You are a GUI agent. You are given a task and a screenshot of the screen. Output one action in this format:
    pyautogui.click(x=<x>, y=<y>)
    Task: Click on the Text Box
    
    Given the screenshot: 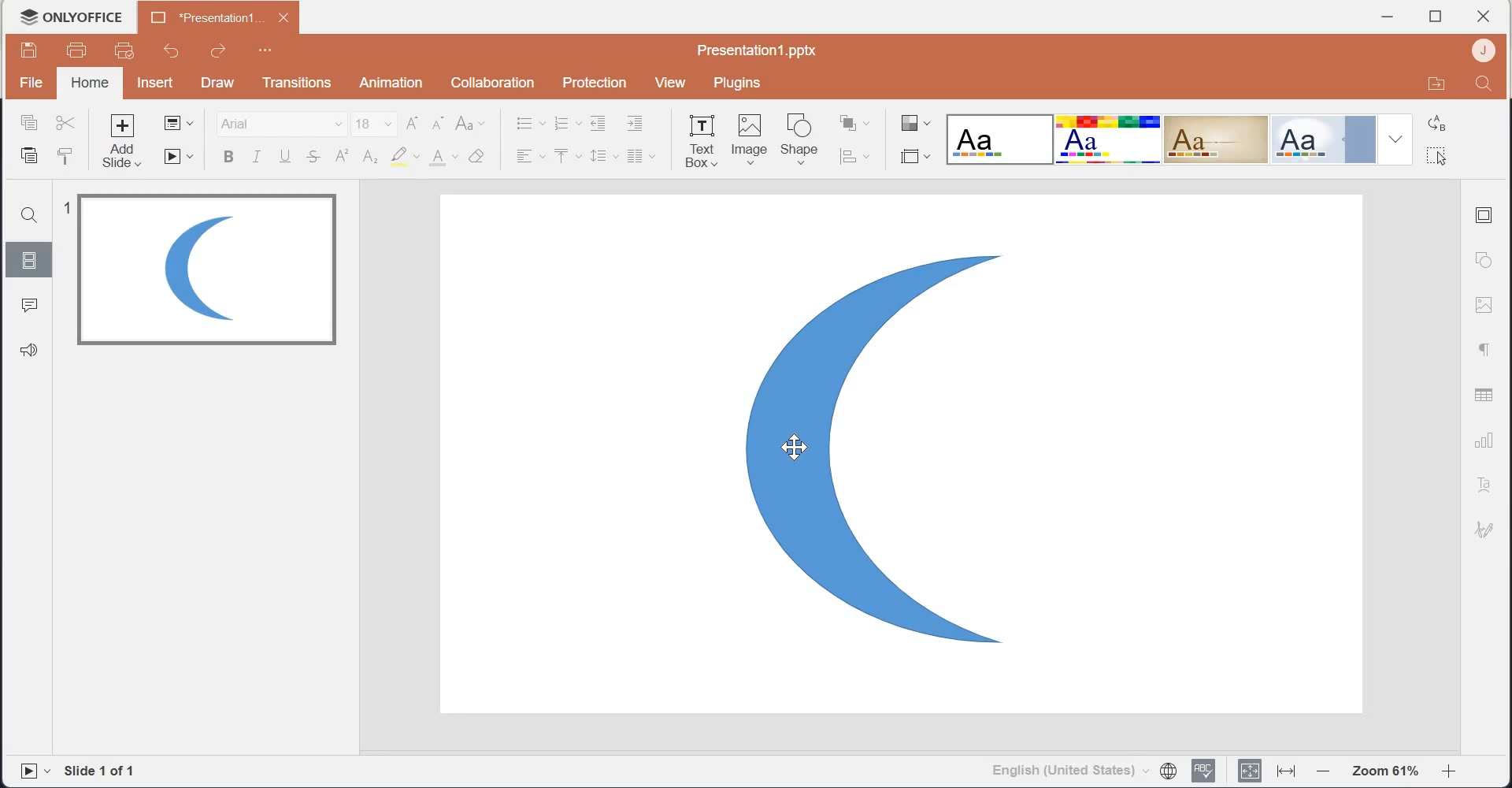 What is the action you would take?
    pyautogui.click(x=700, y=139)
    